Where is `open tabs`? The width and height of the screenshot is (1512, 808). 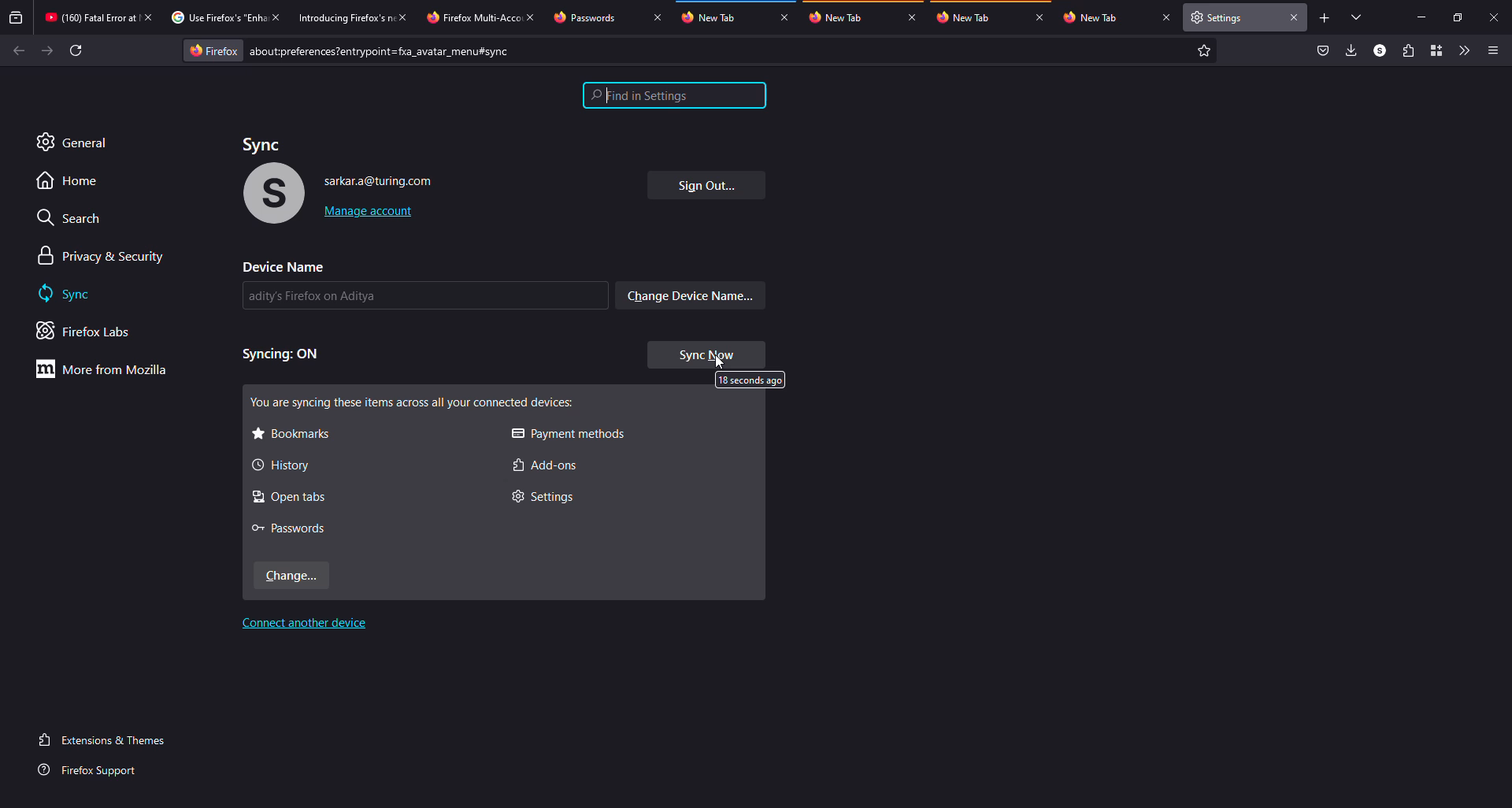
open tabs is located at coordinates (291, 498).